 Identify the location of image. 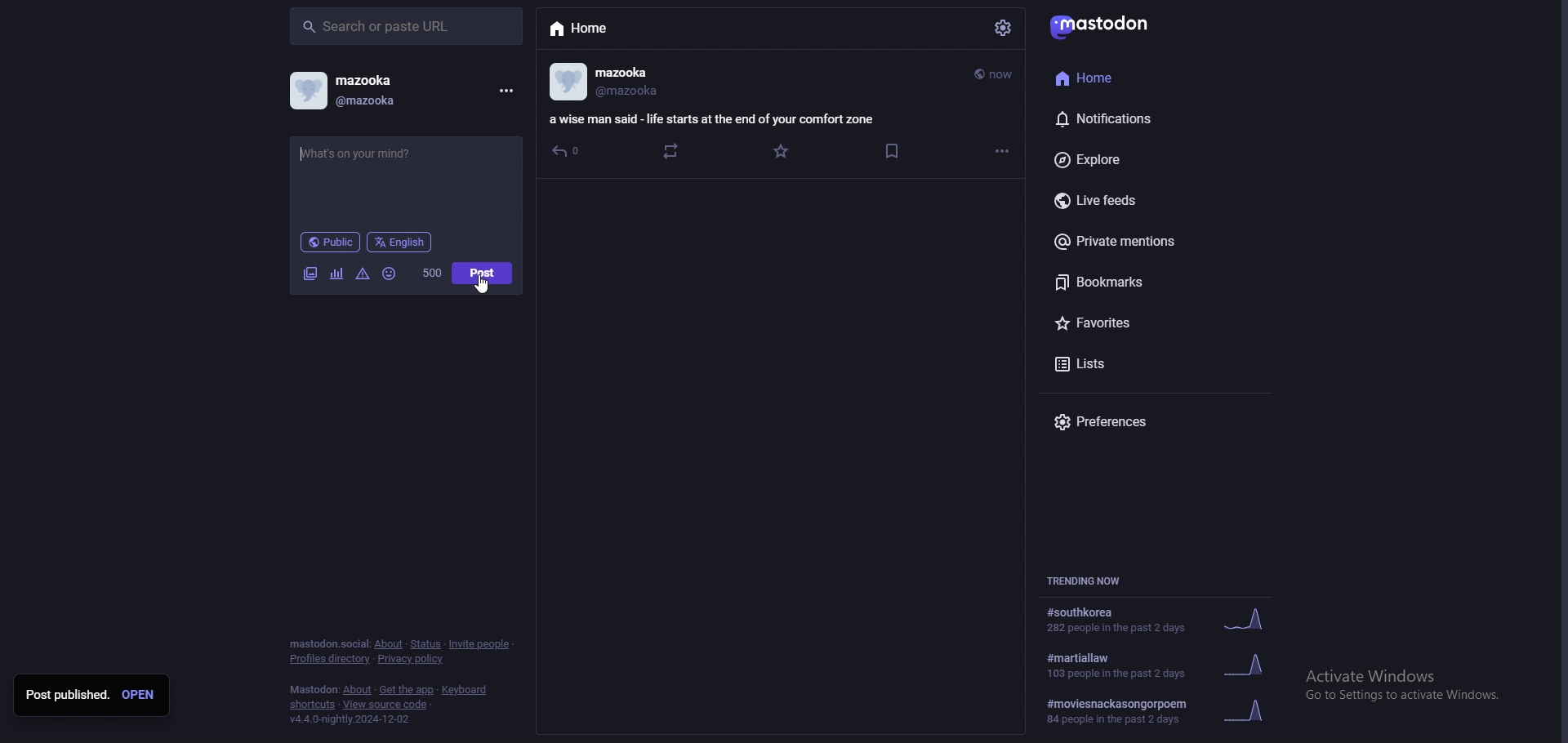
(309, 274).